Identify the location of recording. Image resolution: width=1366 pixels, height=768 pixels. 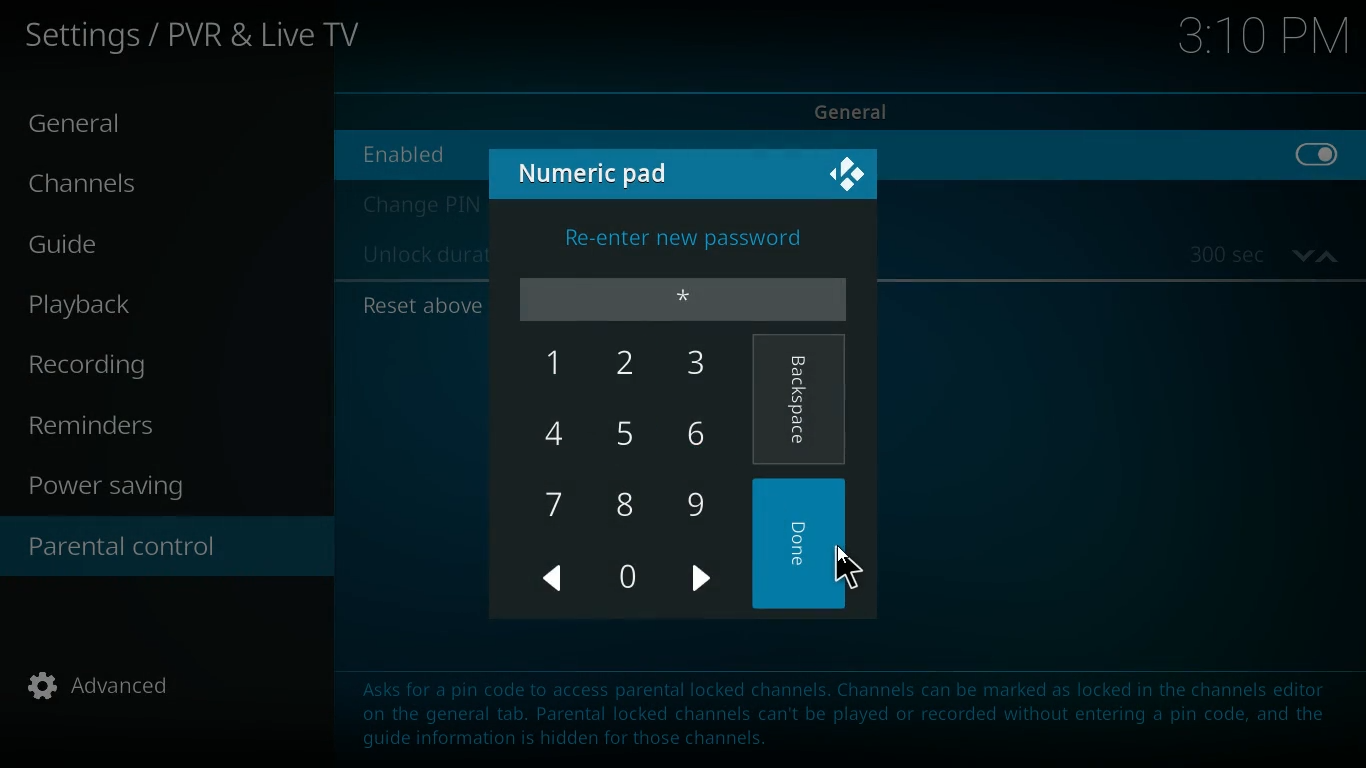
(117, 366).